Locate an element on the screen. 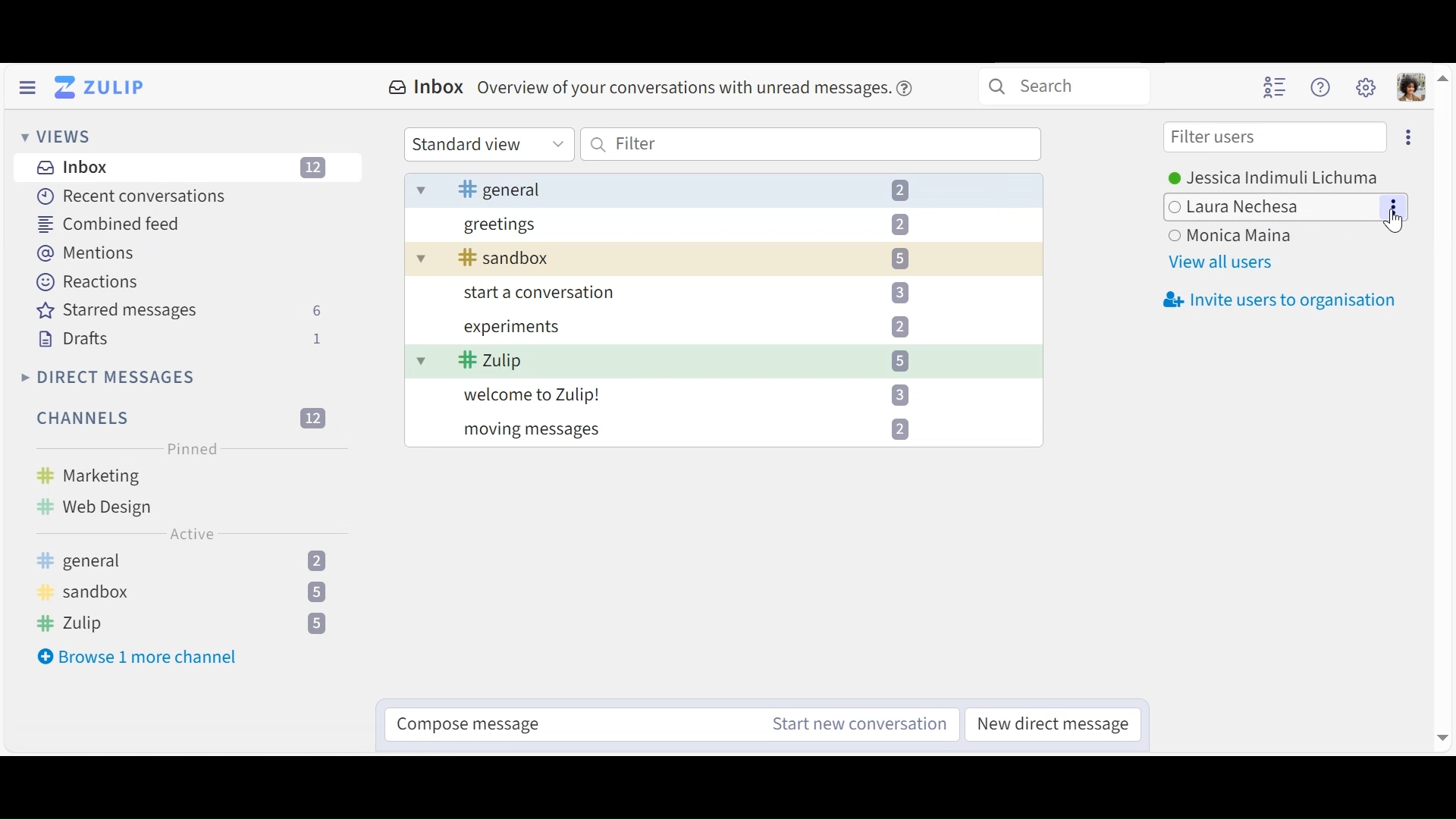  Help menu is located at coordinates (1320, 88).